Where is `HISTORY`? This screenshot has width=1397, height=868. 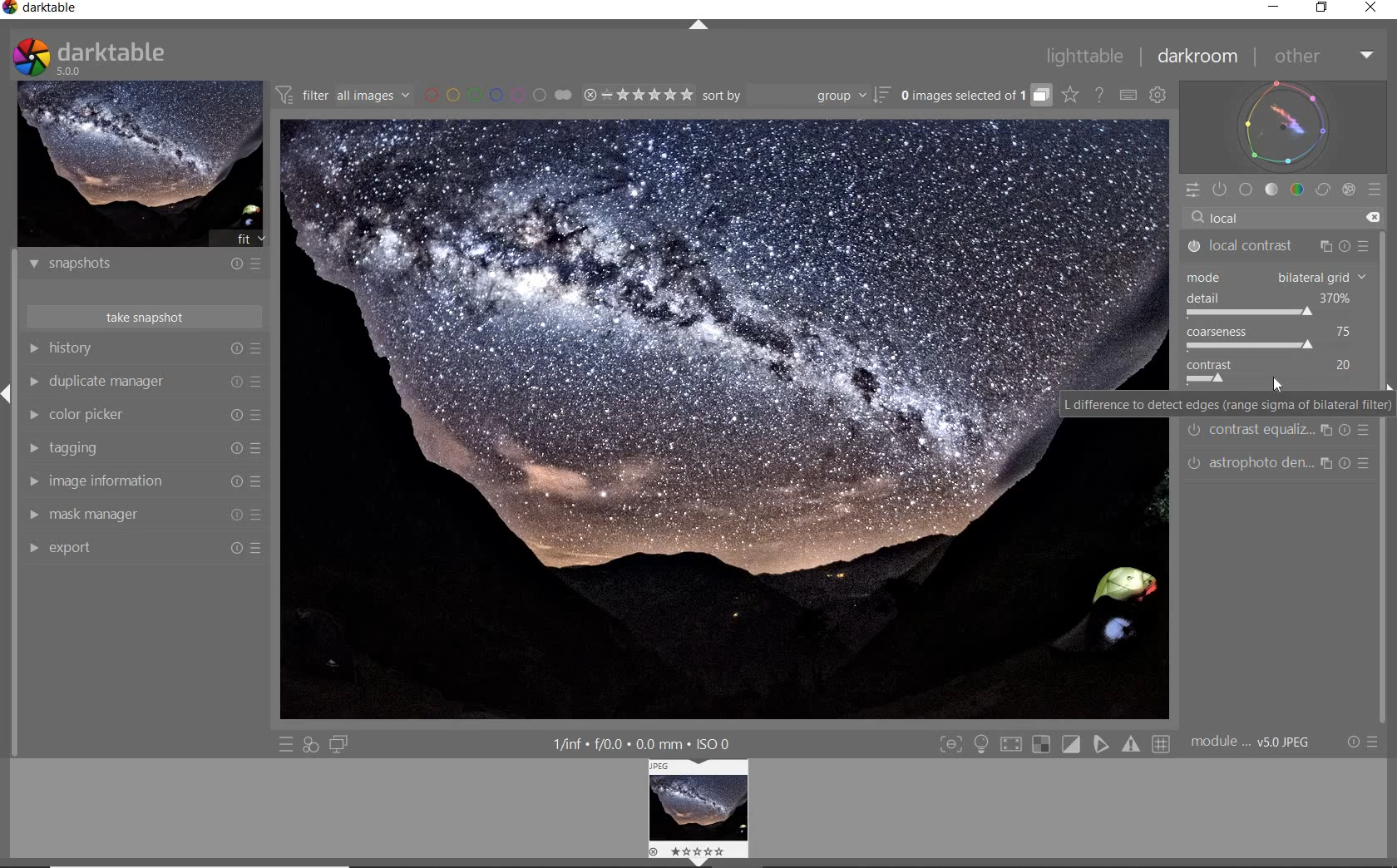 HISTORY is located at coordinates (33, 348).